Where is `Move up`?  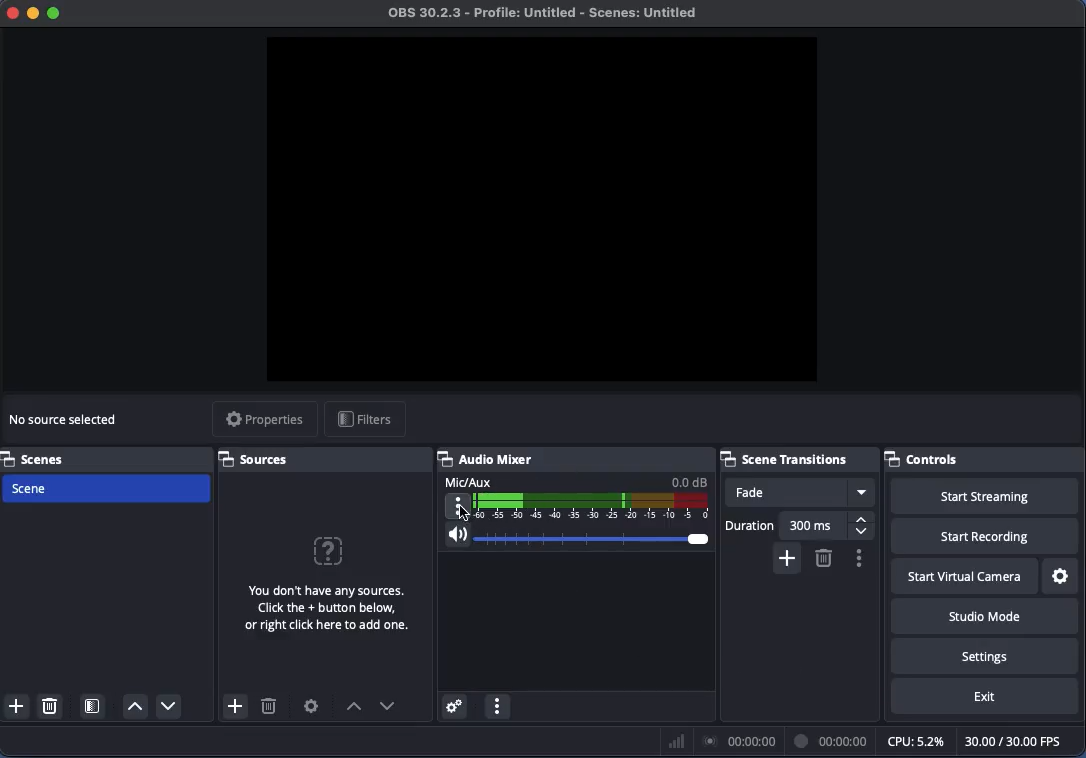 Move up is located at coordinates (353, 708).